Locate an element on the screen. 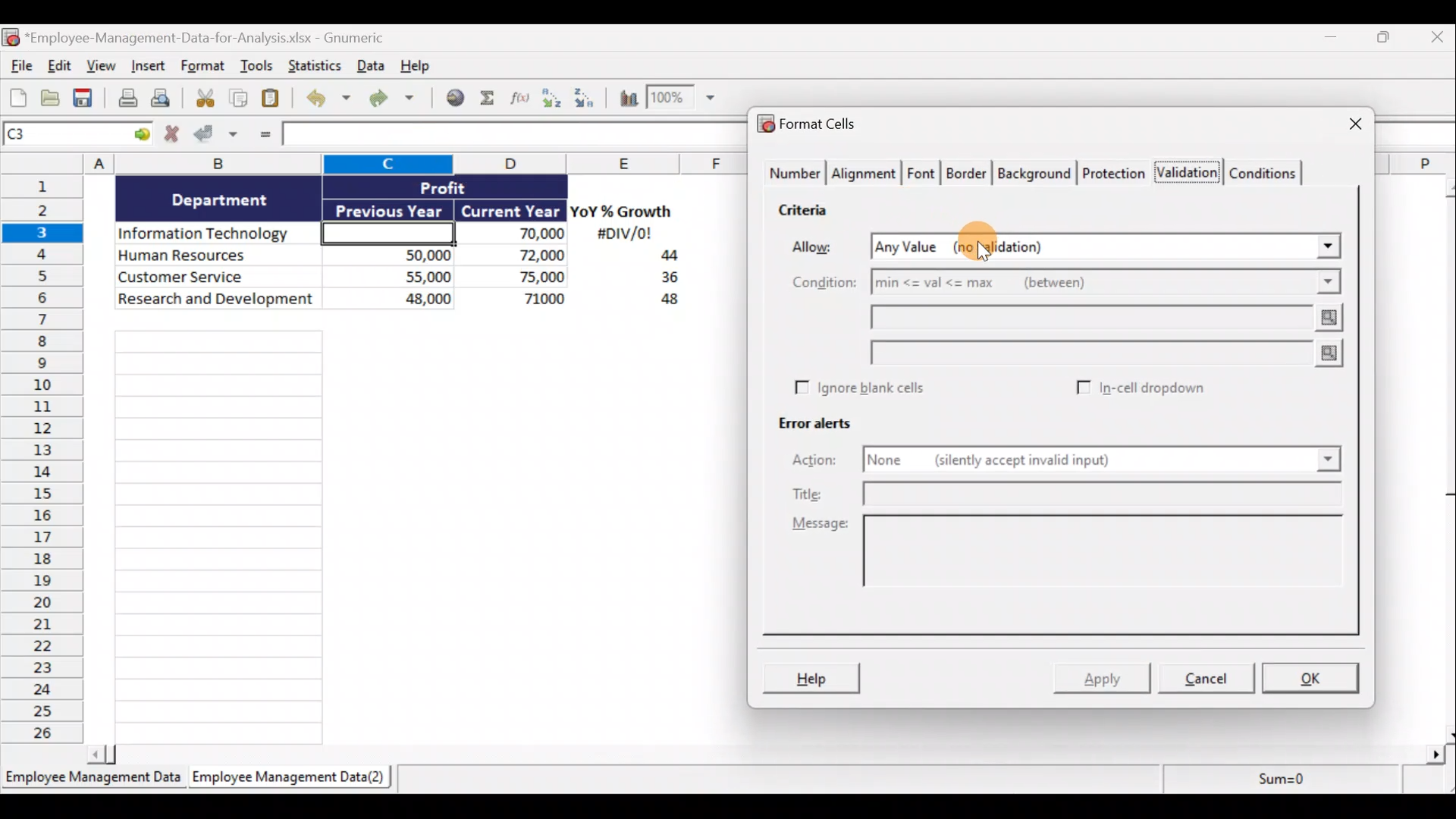 The height and width of the screenshot is (819, 1456). Title is located at coordinates (1072, 494).